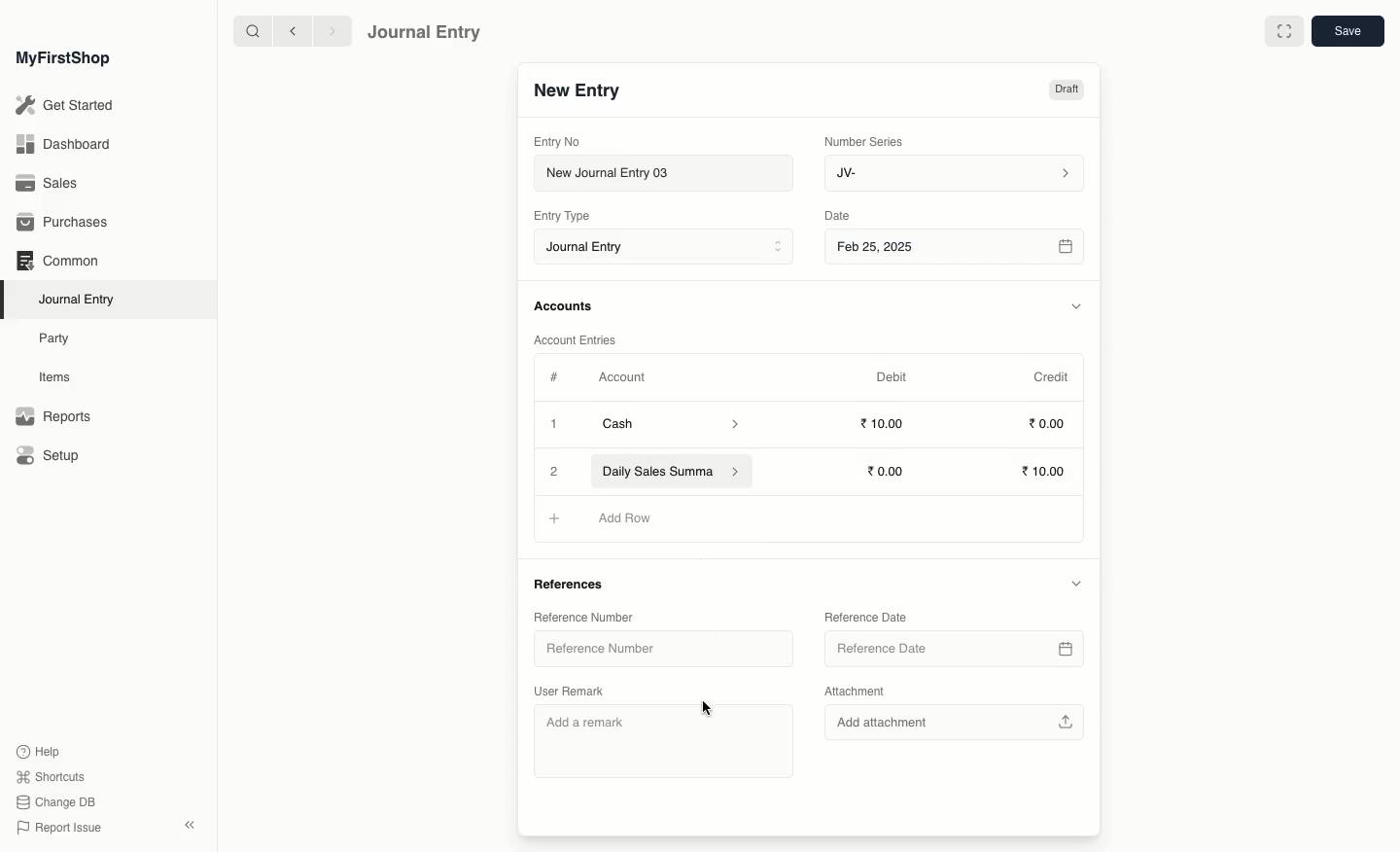  I want to click on save, so click(1347, 32).